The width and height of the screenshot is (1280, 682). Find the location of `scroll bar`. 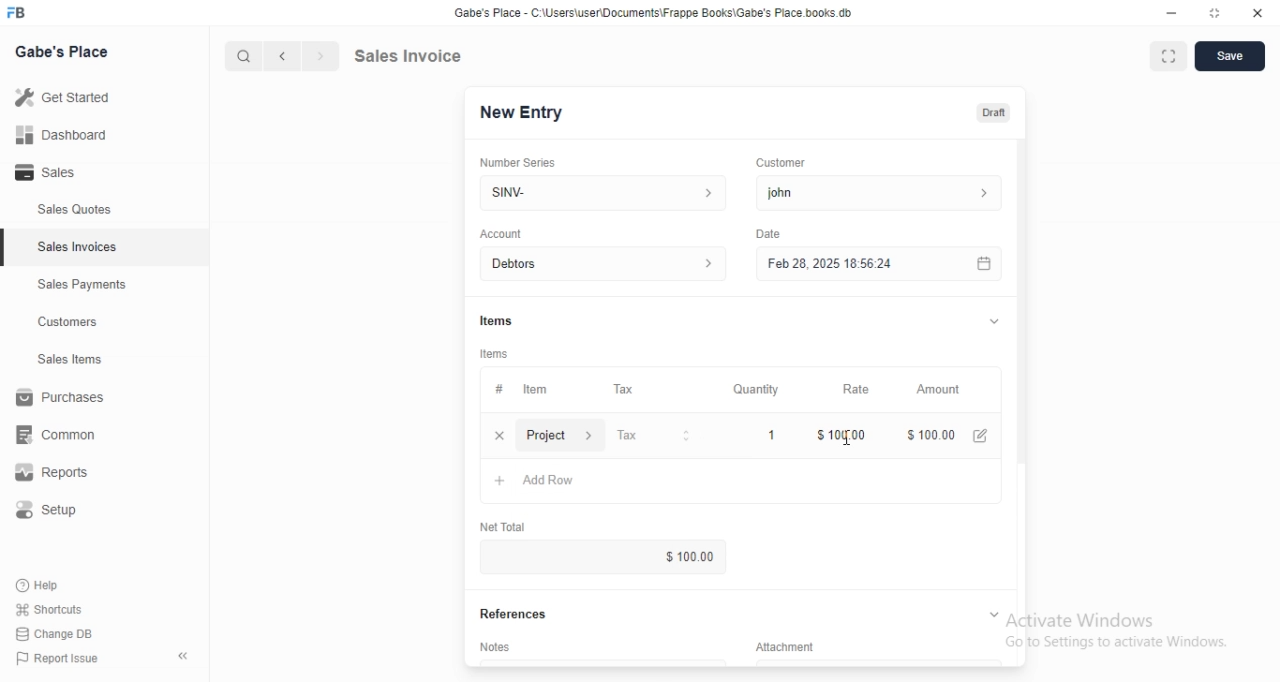

scroll bar is located at coordinates (1021, 321).